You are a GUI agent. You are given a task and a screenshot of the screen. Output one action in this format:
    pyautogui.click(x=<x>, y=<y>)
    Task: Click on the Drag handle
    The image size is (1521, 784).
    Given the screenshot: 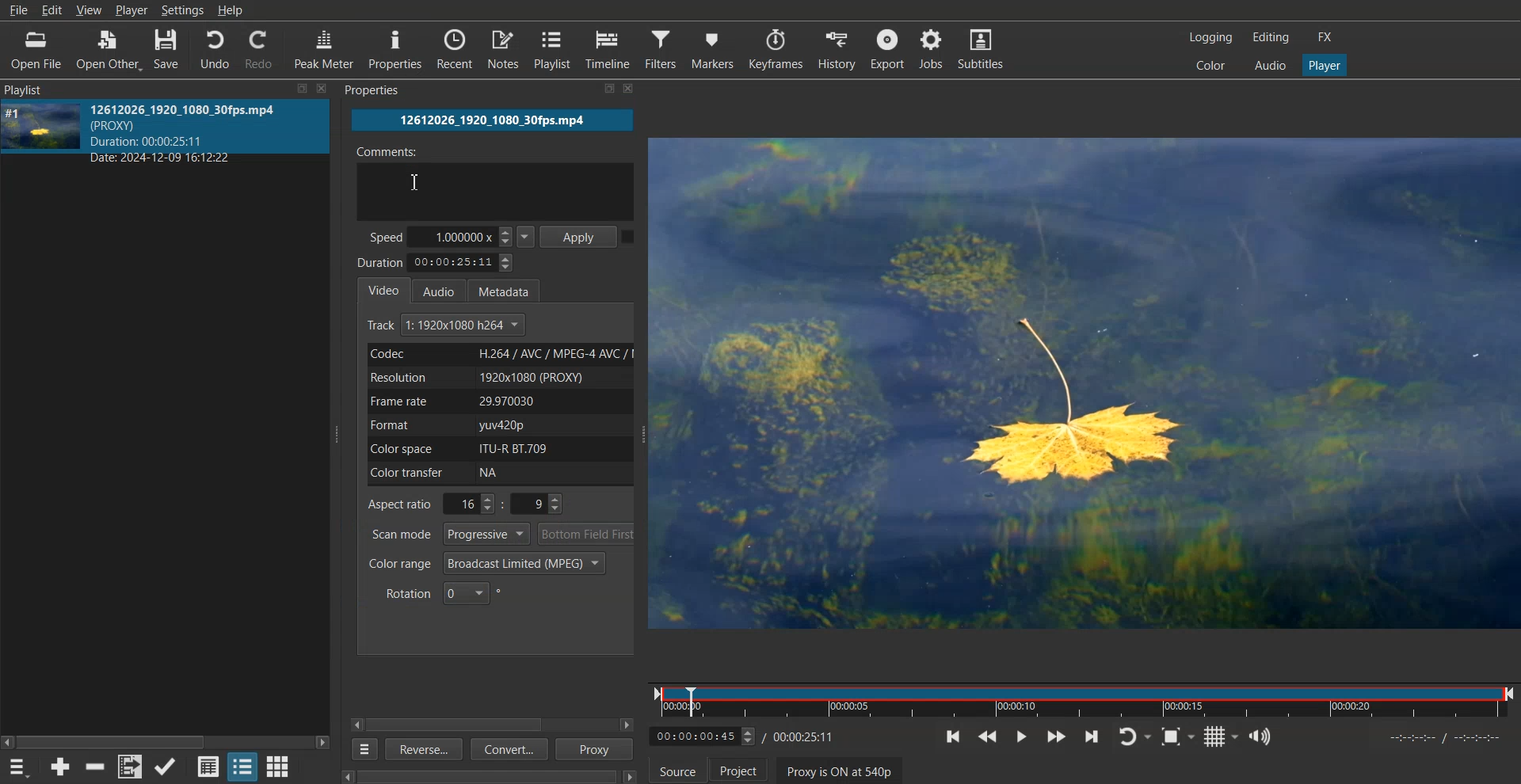 What is the action you would take?
    pyautogui.click(x=339, y=433)
    